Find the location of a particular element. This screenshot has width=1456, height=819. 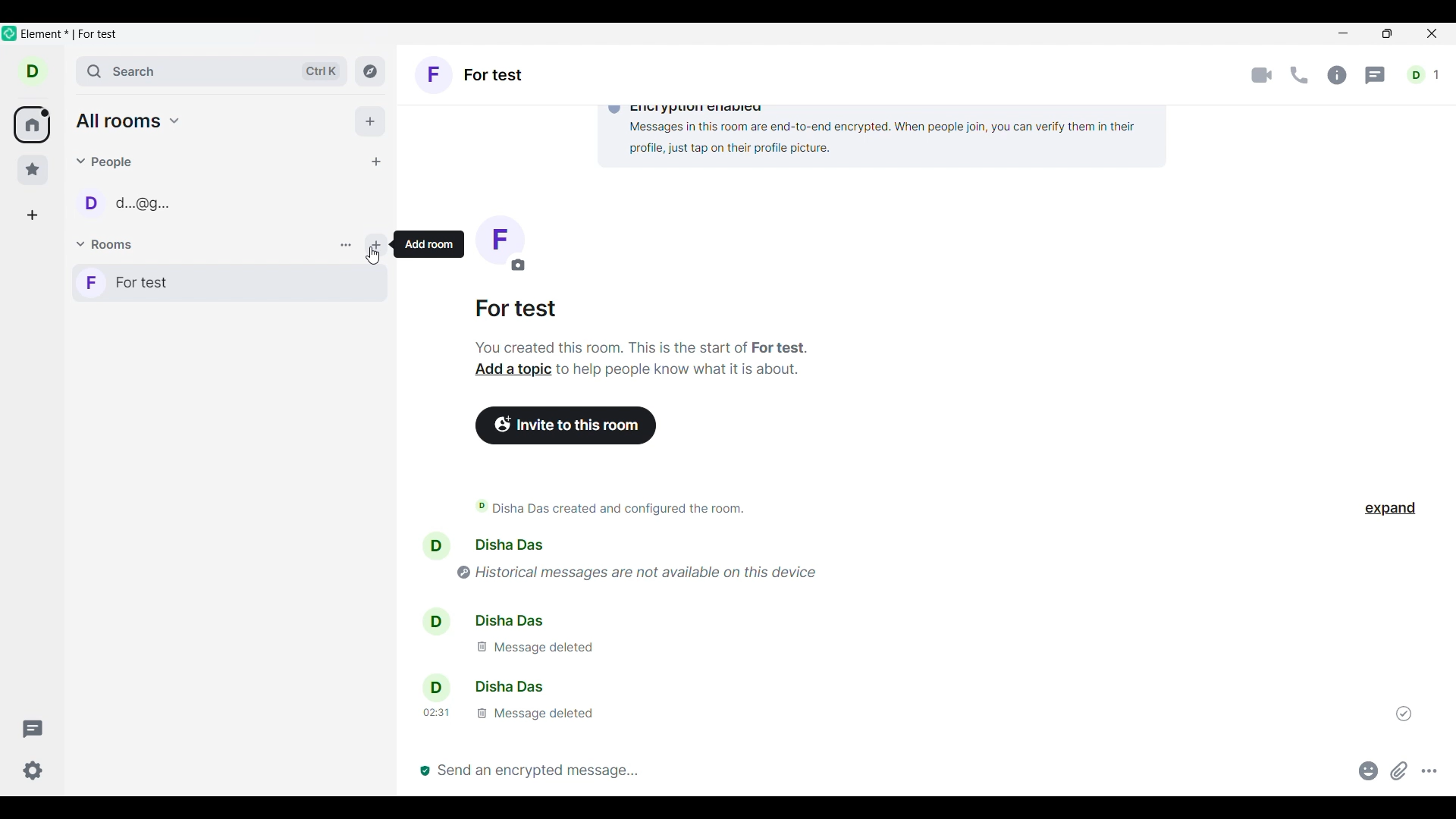

Add room is located at coordinates (376, 245).